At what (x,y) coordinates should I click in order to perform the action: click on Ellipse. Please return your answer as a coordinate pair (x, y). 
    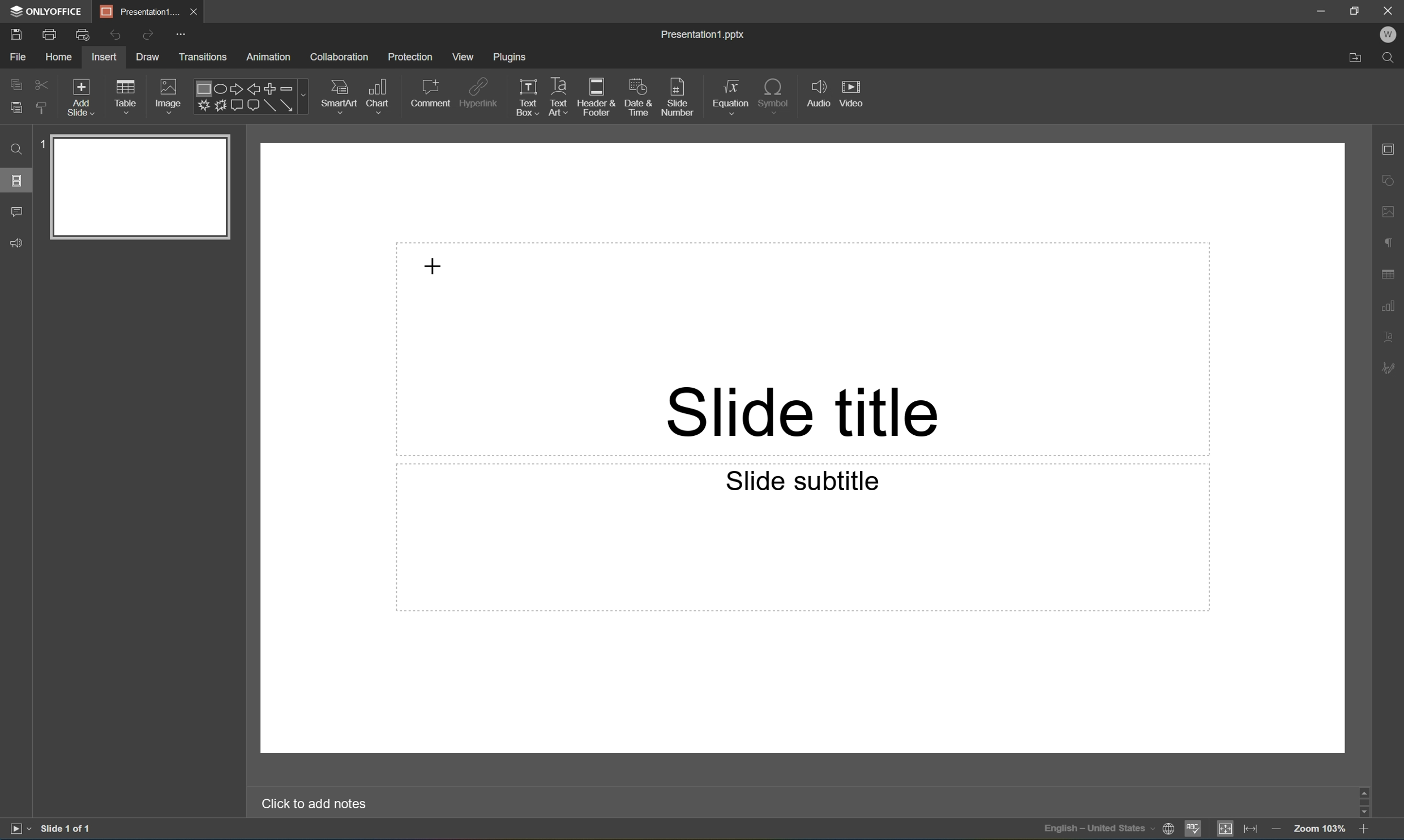
    Looking at the image, I should click on (219, 90).